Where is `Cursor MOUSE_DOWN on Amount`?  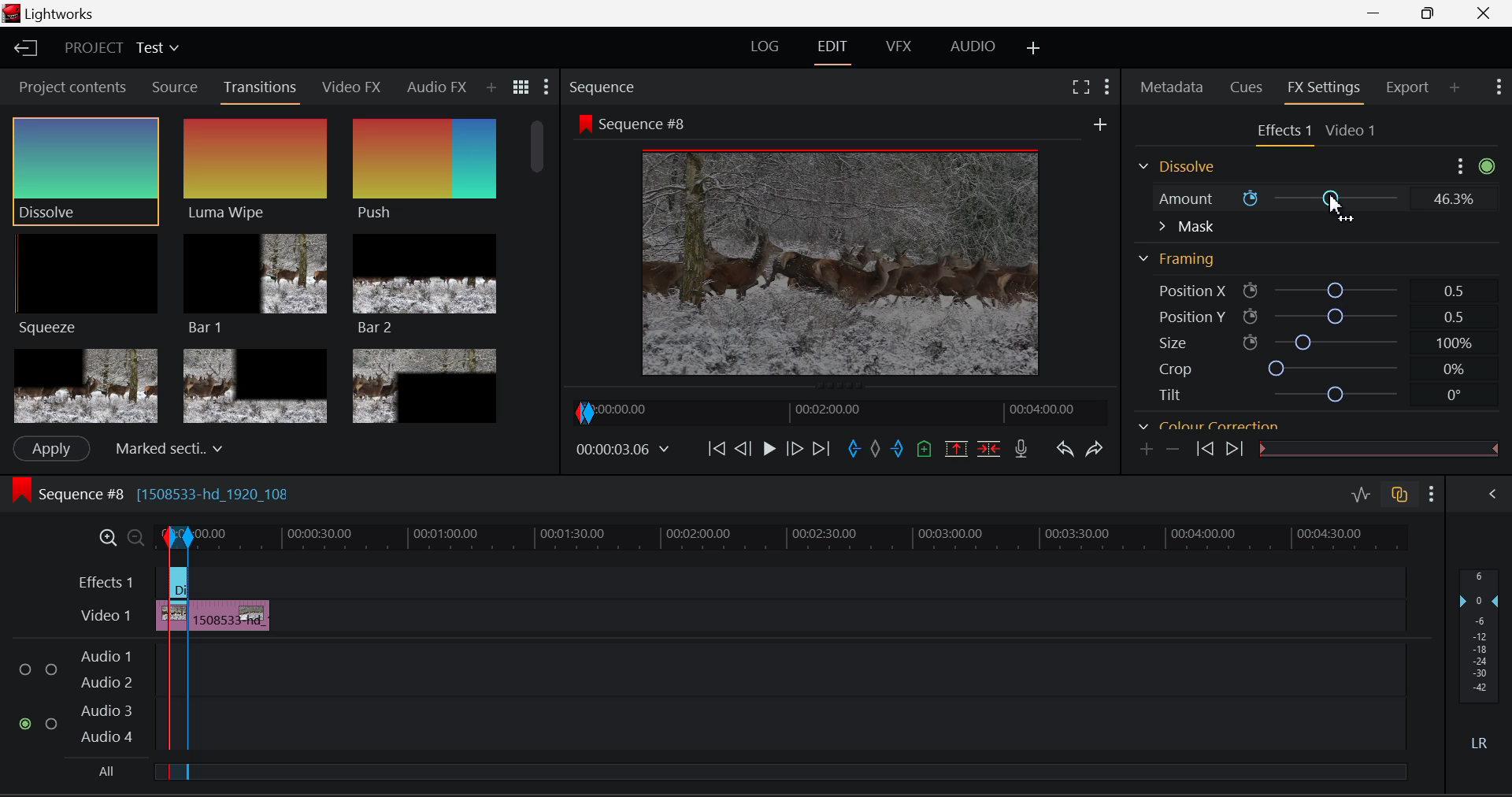
Cursor MOUSE_DOWN on Amount is located at coordinates (1312, 198).